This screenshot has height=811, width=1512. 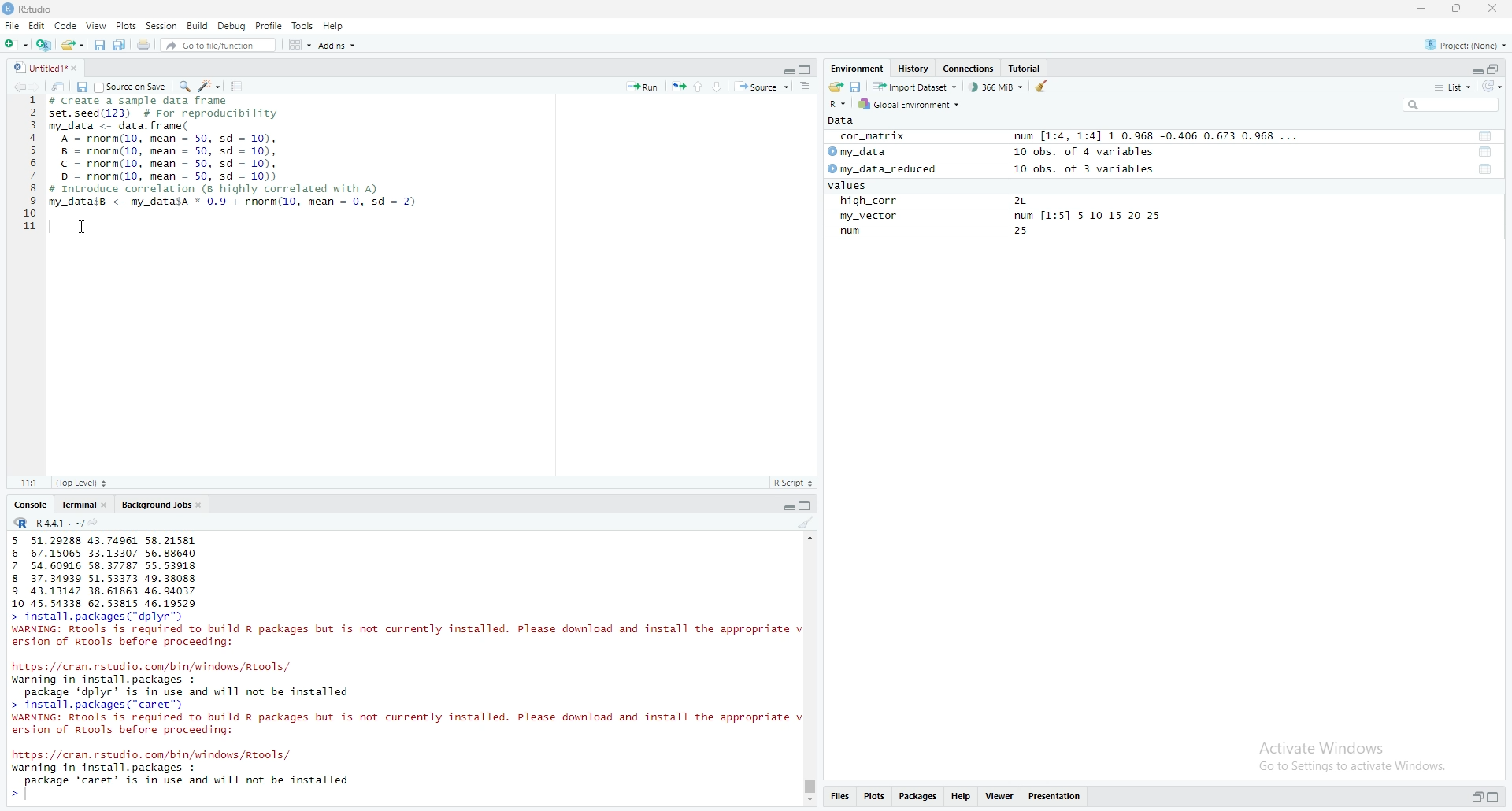 I want to click on cursor, so click(x=82, y=227).